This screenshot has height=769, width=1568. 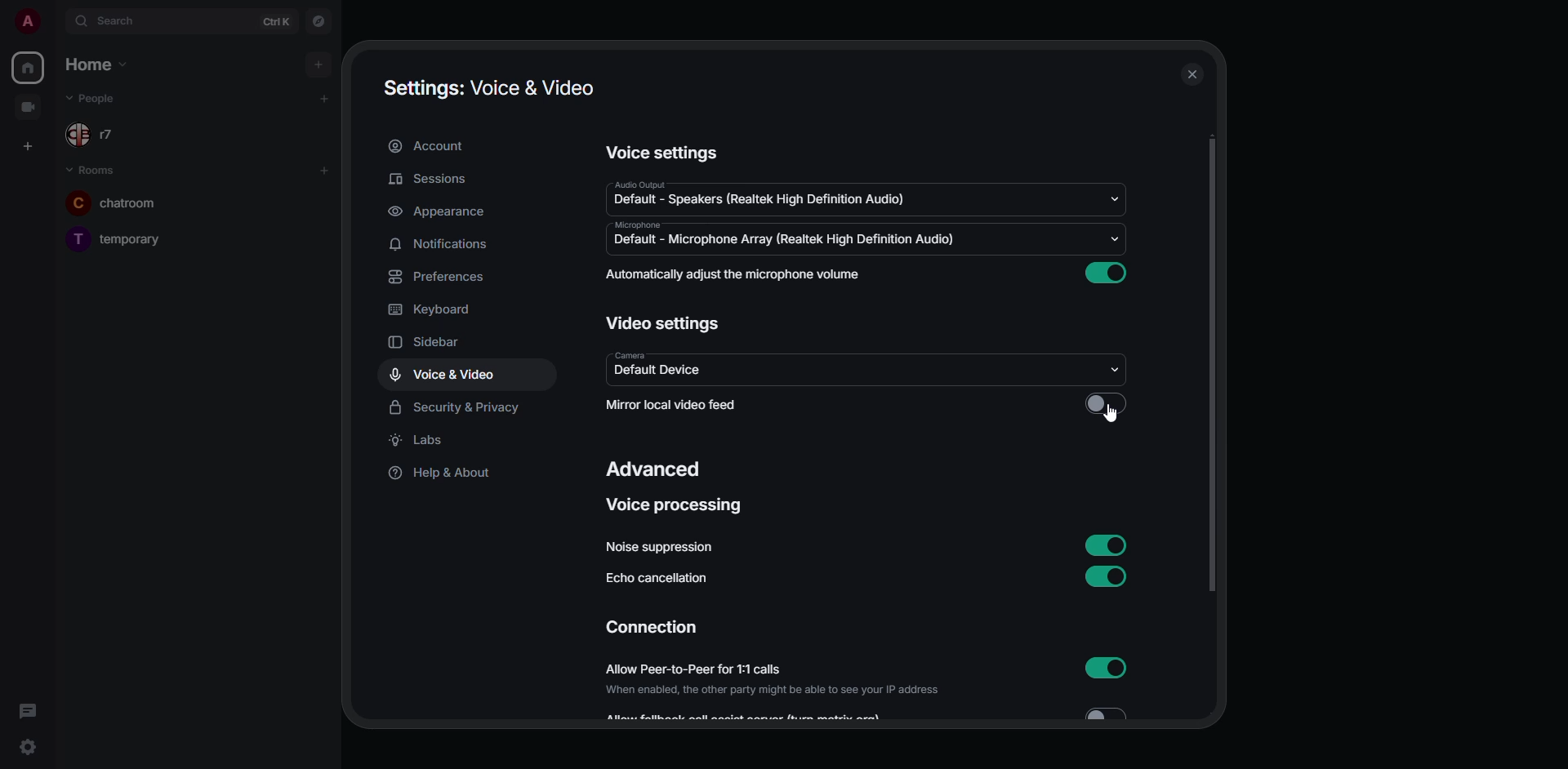 What do you see at coordinates (1106, 544) in the screenshot?
I see `enabled` at bounding box center [1106, 544].